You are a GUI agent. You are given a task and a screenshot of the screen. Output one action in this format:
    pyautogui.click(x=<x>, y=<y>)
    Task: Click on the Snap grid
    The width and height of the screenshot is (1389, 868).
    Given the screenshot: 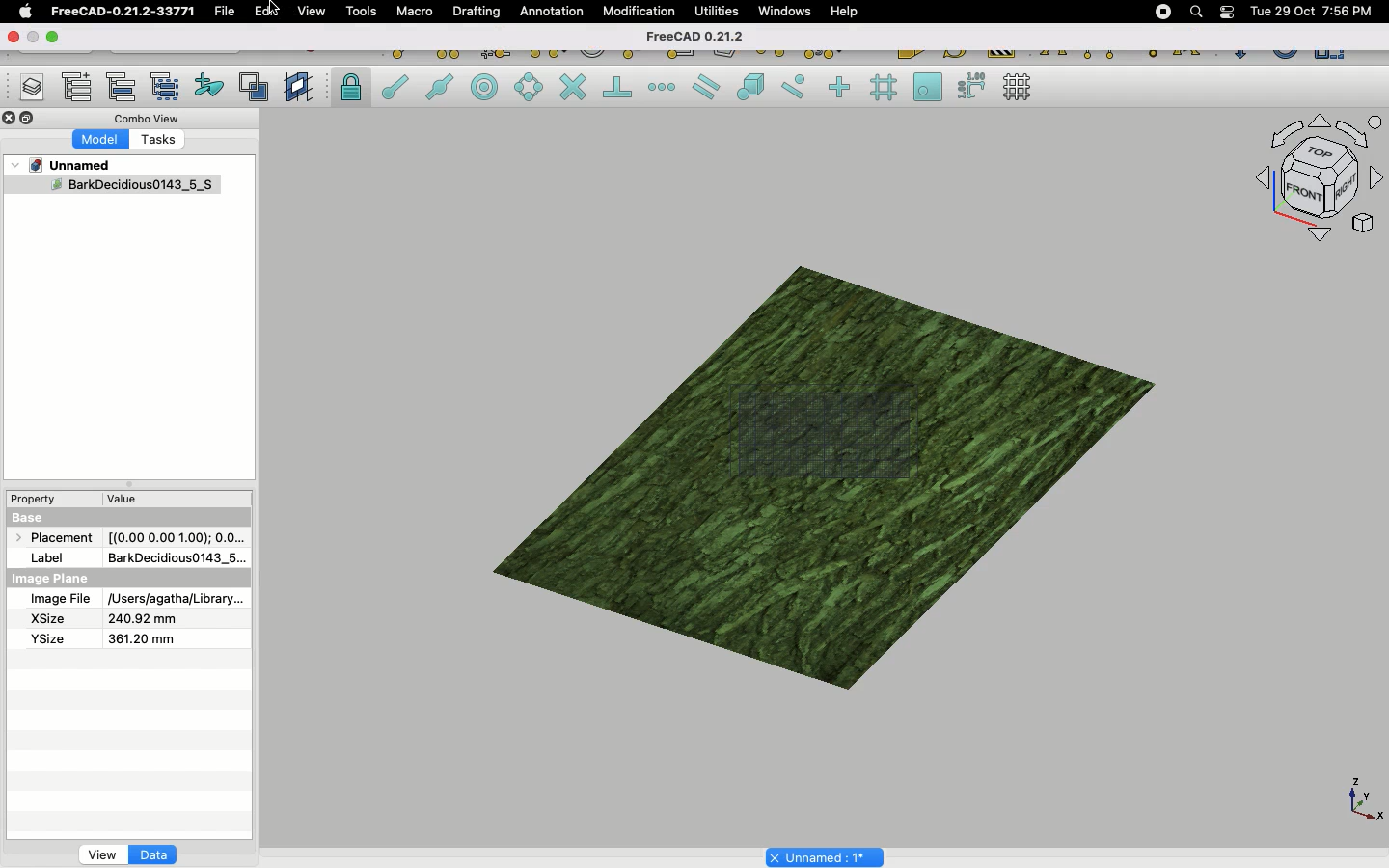 What is the action you would take?
    pyautogui.click(x=885, y=88)
    